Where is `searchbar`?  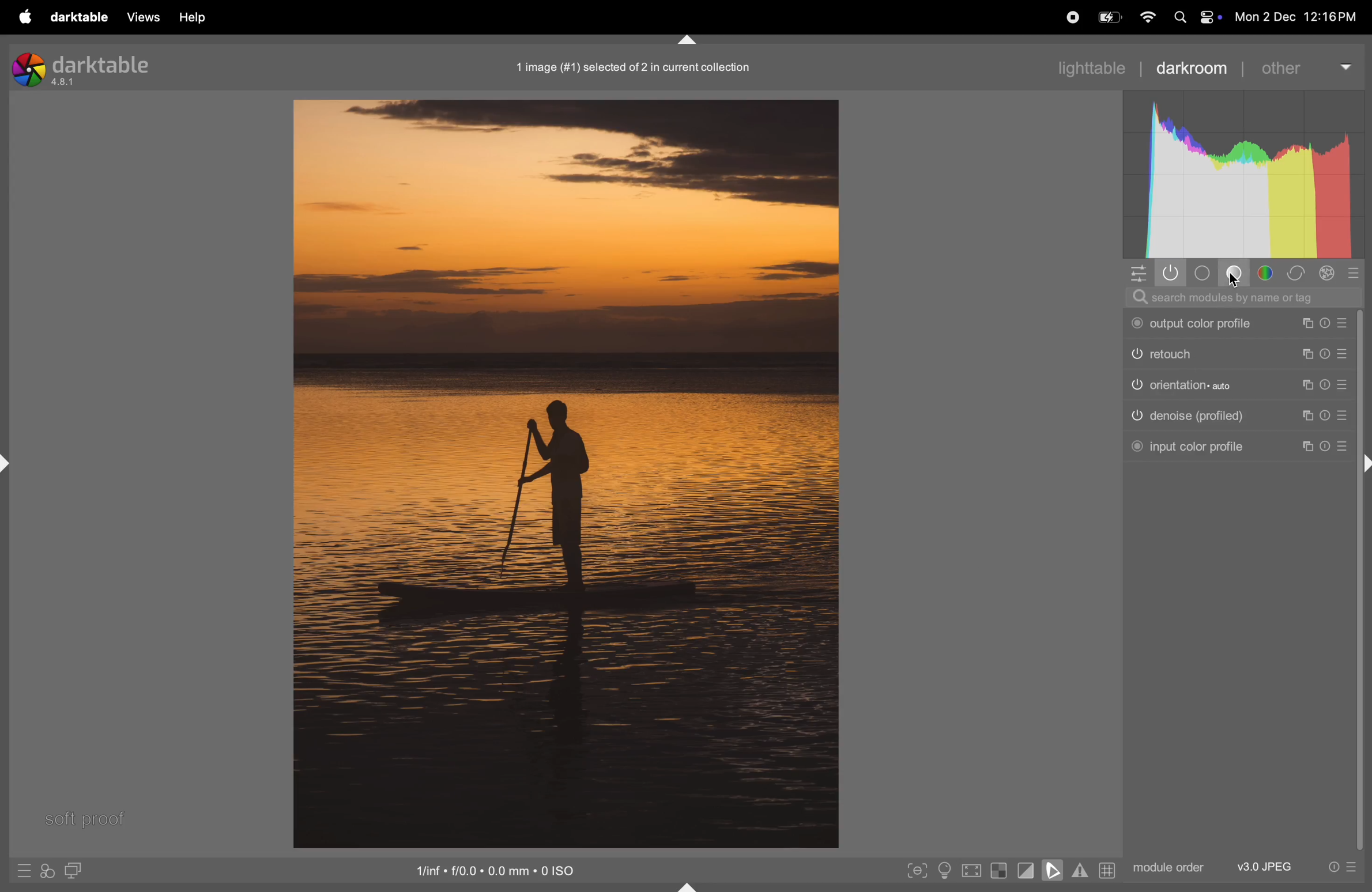 searchbar is located at coordinates (1243, 297).